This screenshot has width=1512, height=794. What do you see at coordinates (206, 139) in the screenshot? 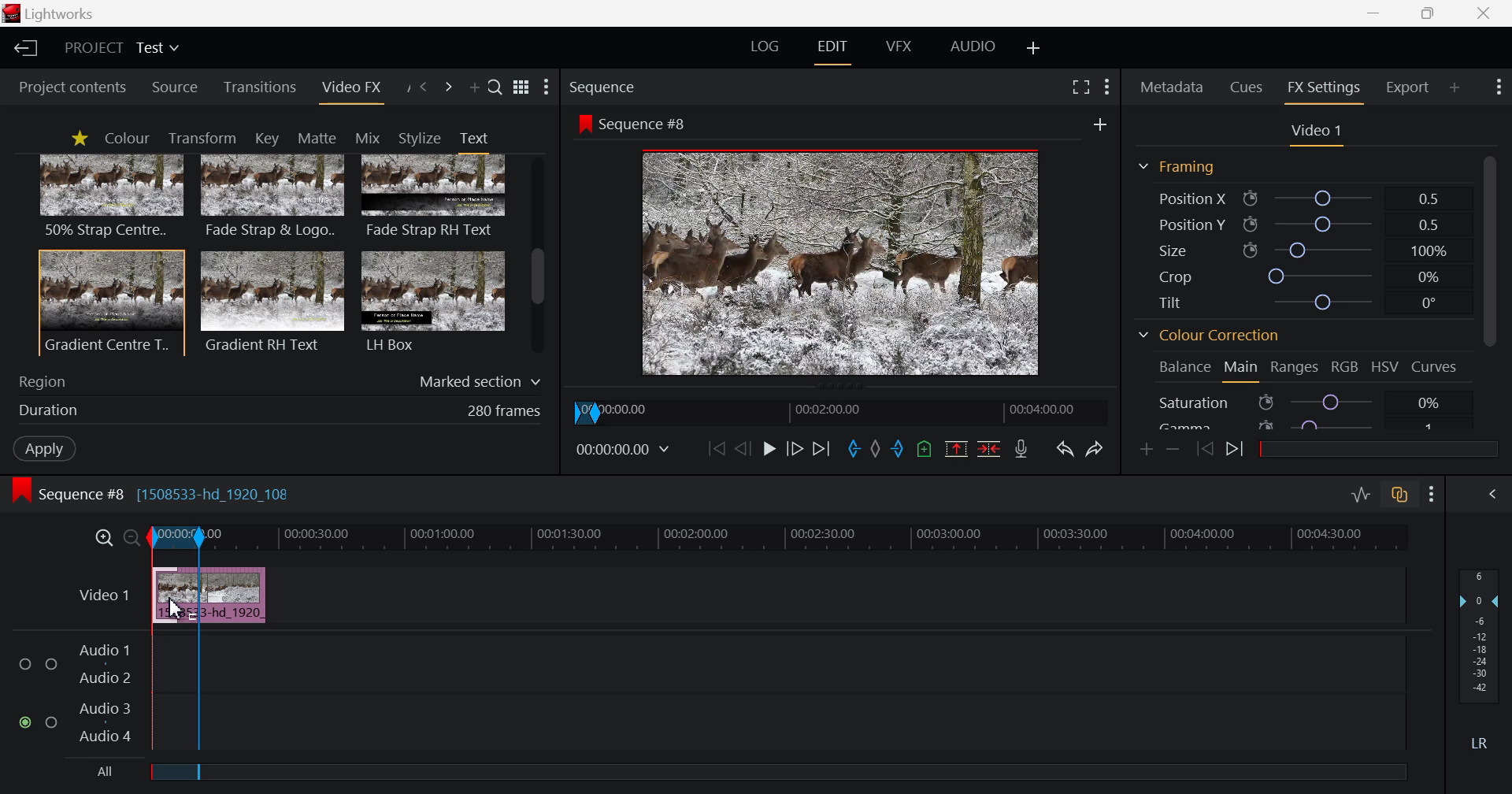
I see `Transform` at bounding box center [206, 139].